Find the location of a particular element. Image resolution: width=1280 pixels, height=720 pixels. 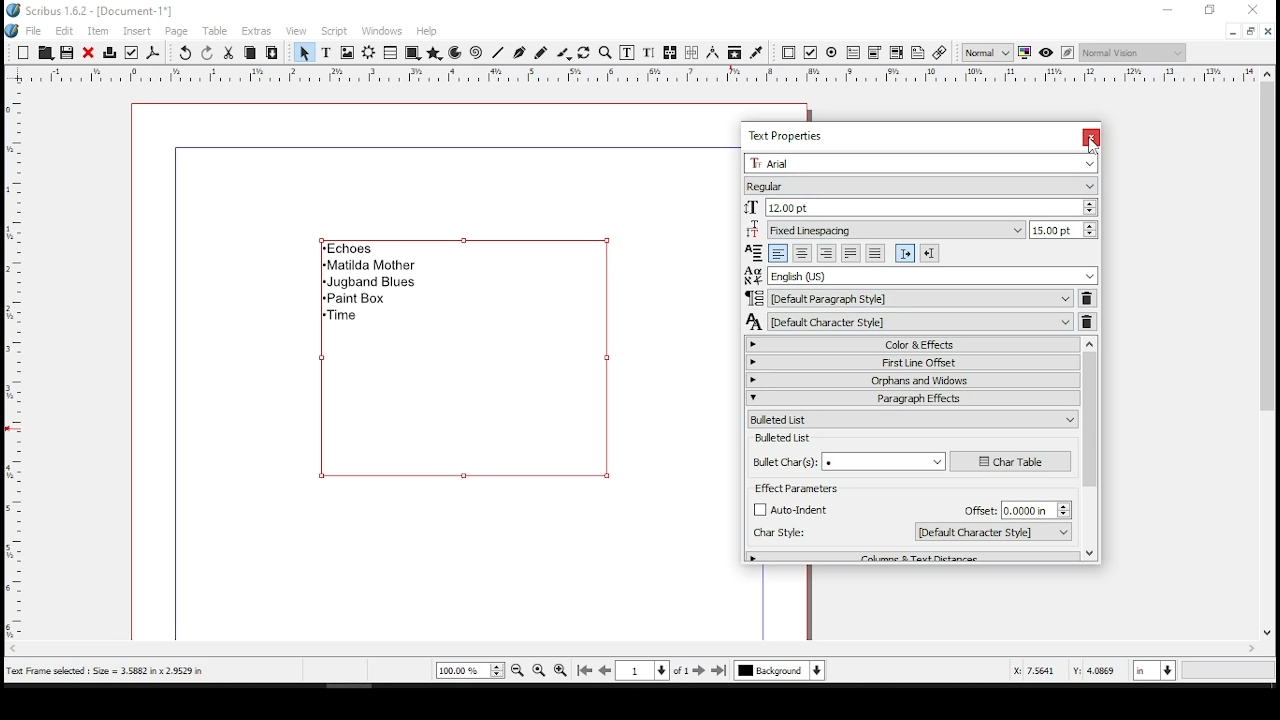

PDF check button is located at coordinates (811, 53).